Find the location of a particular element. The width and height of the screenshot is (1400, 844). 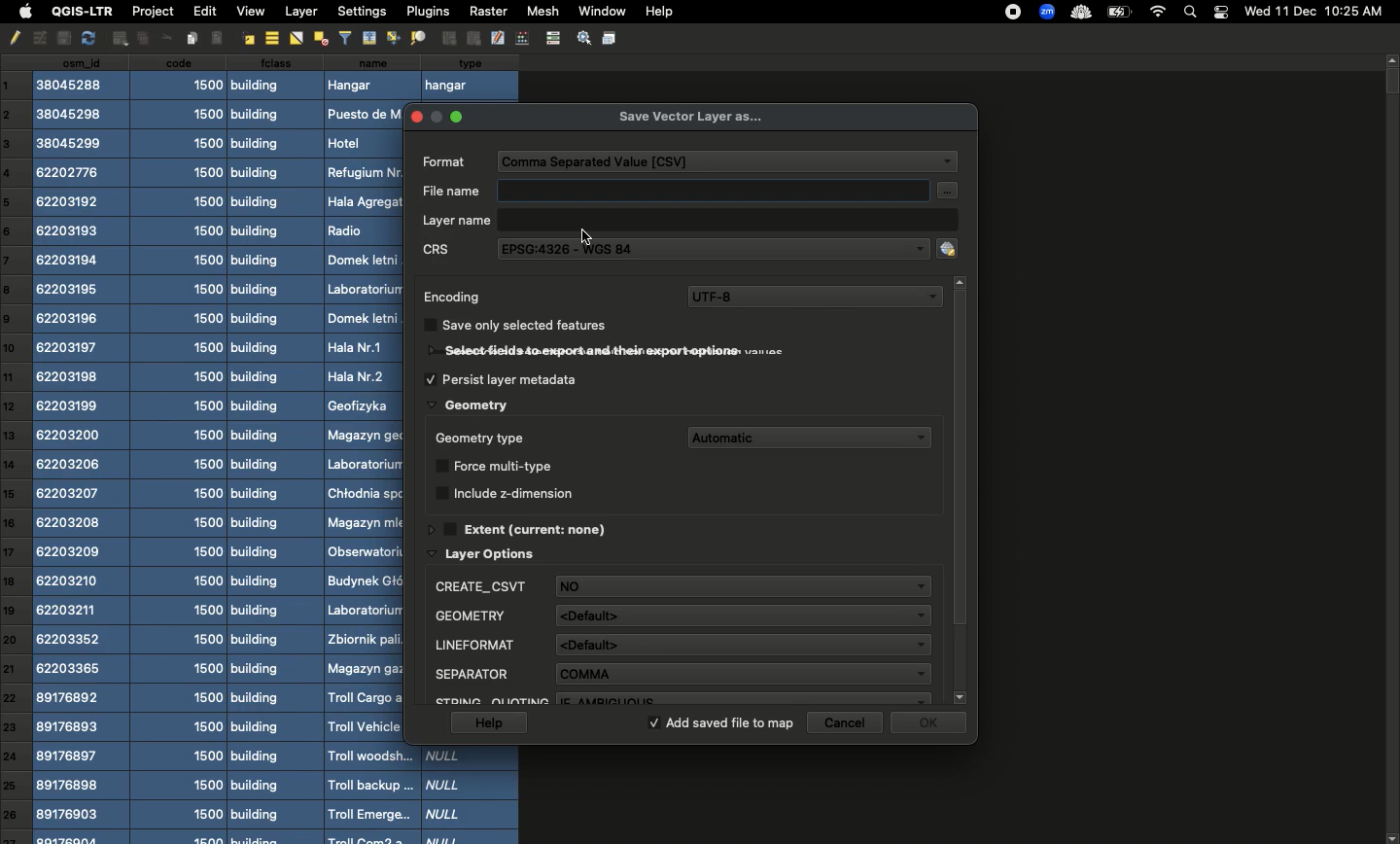

Edit is located at coordinates (202, 11).